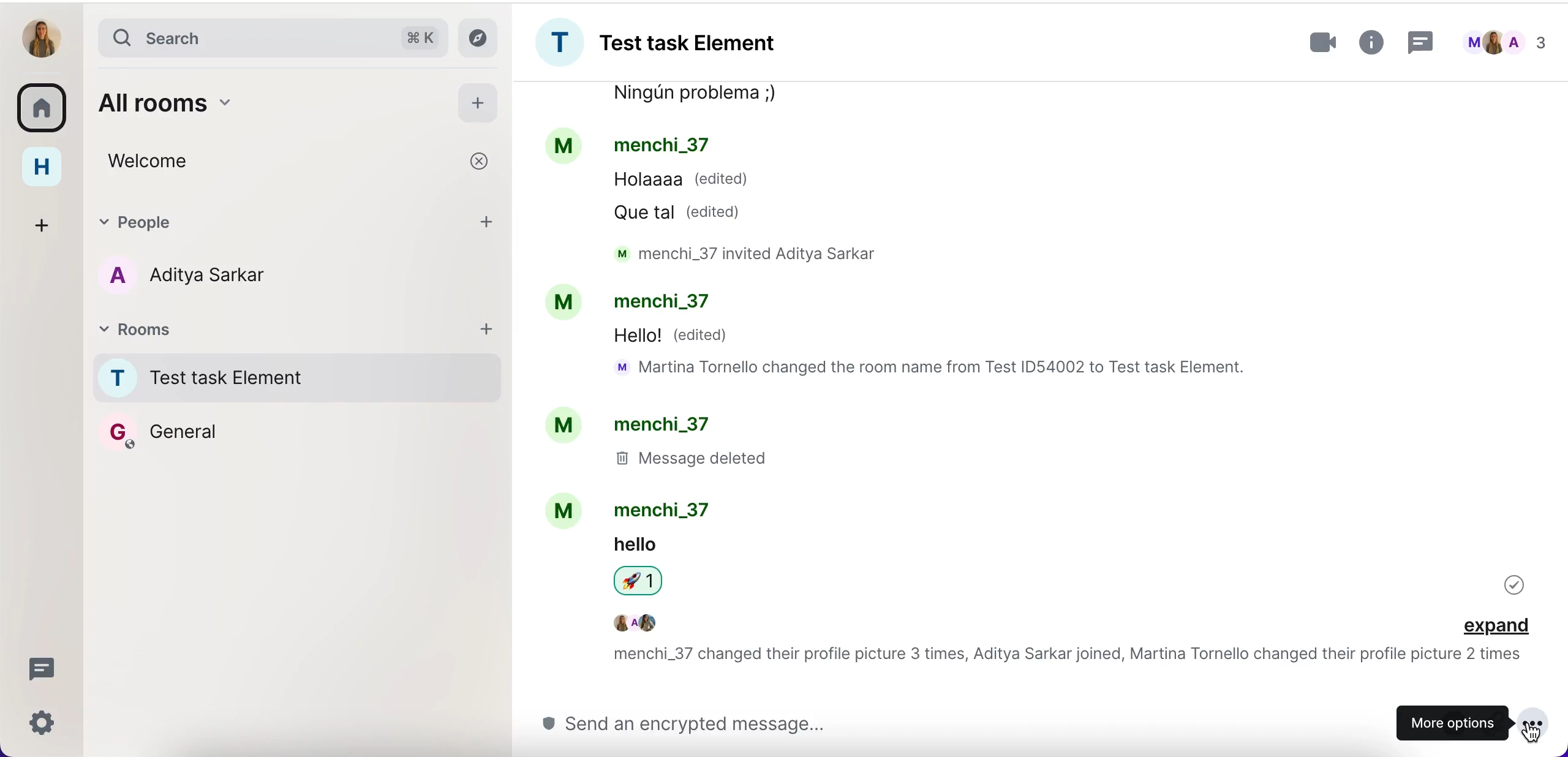 This screenshot has width=1568, height=757. I want to click on search bar, so click(268, 36).